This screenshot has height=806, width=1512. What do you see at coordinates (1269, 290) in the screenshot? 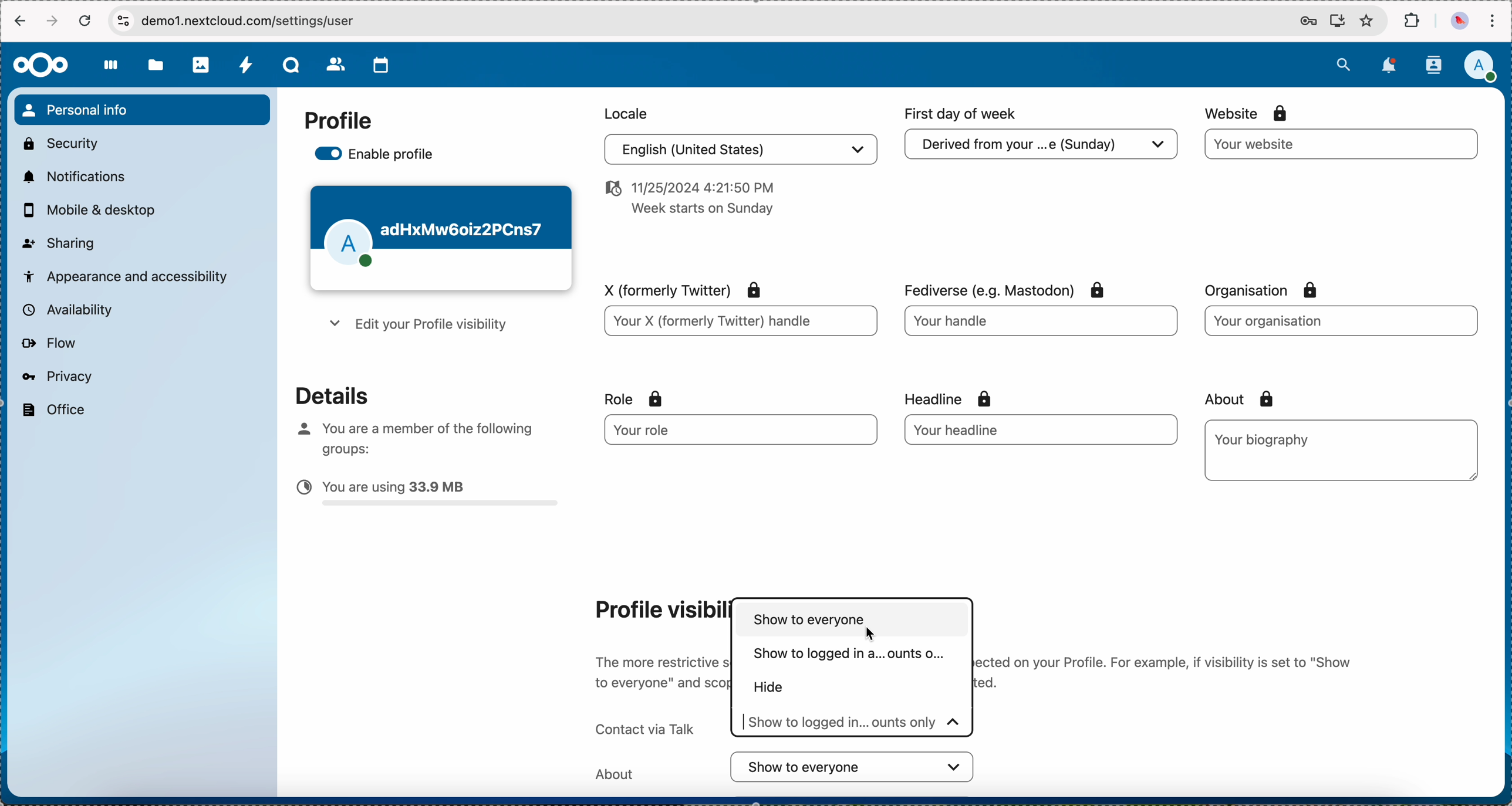
I see `organisation` at bounding box center [1269, 290].